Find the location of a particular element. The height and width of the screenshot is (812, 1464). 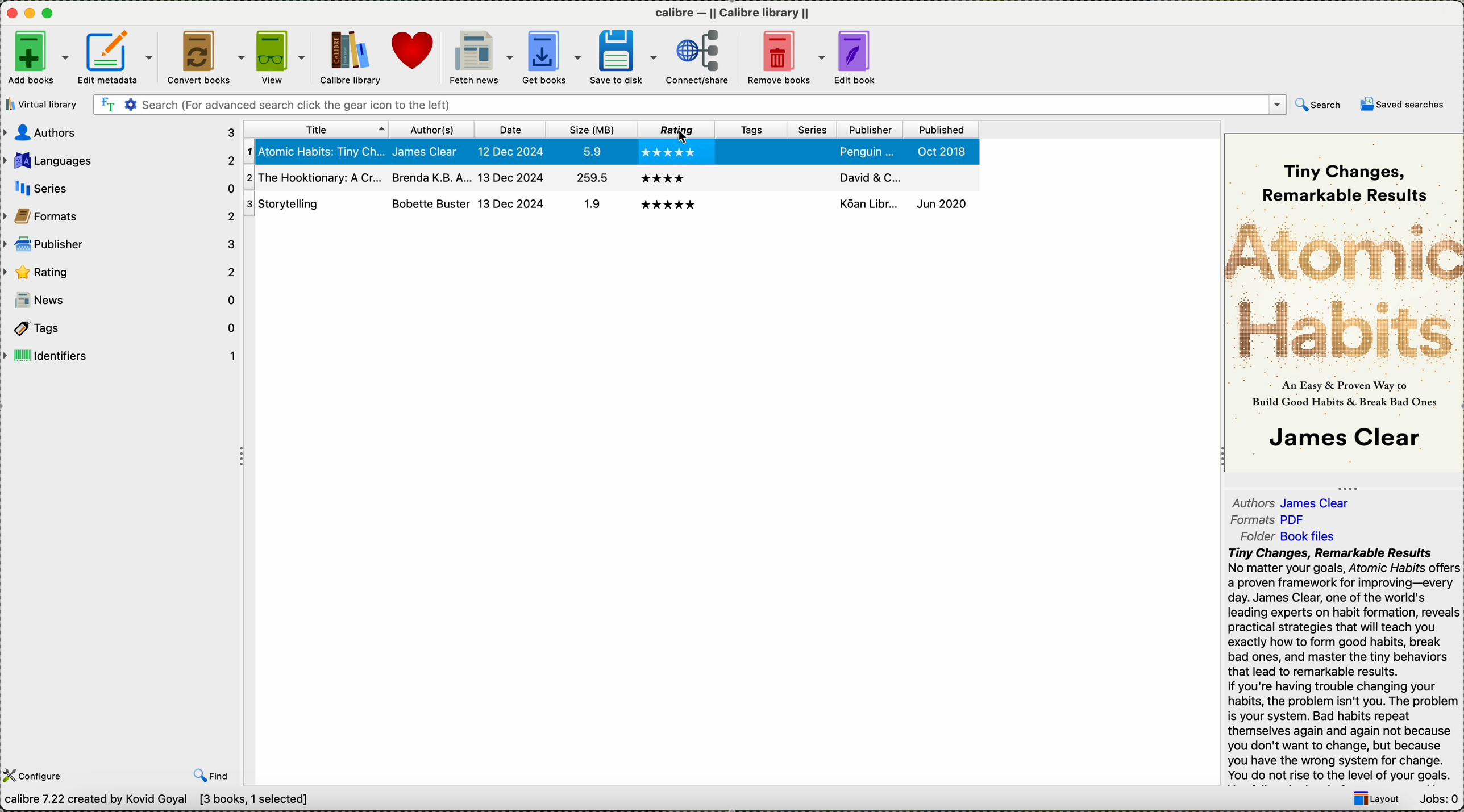

Book file is located at coordinates (1308, 538).